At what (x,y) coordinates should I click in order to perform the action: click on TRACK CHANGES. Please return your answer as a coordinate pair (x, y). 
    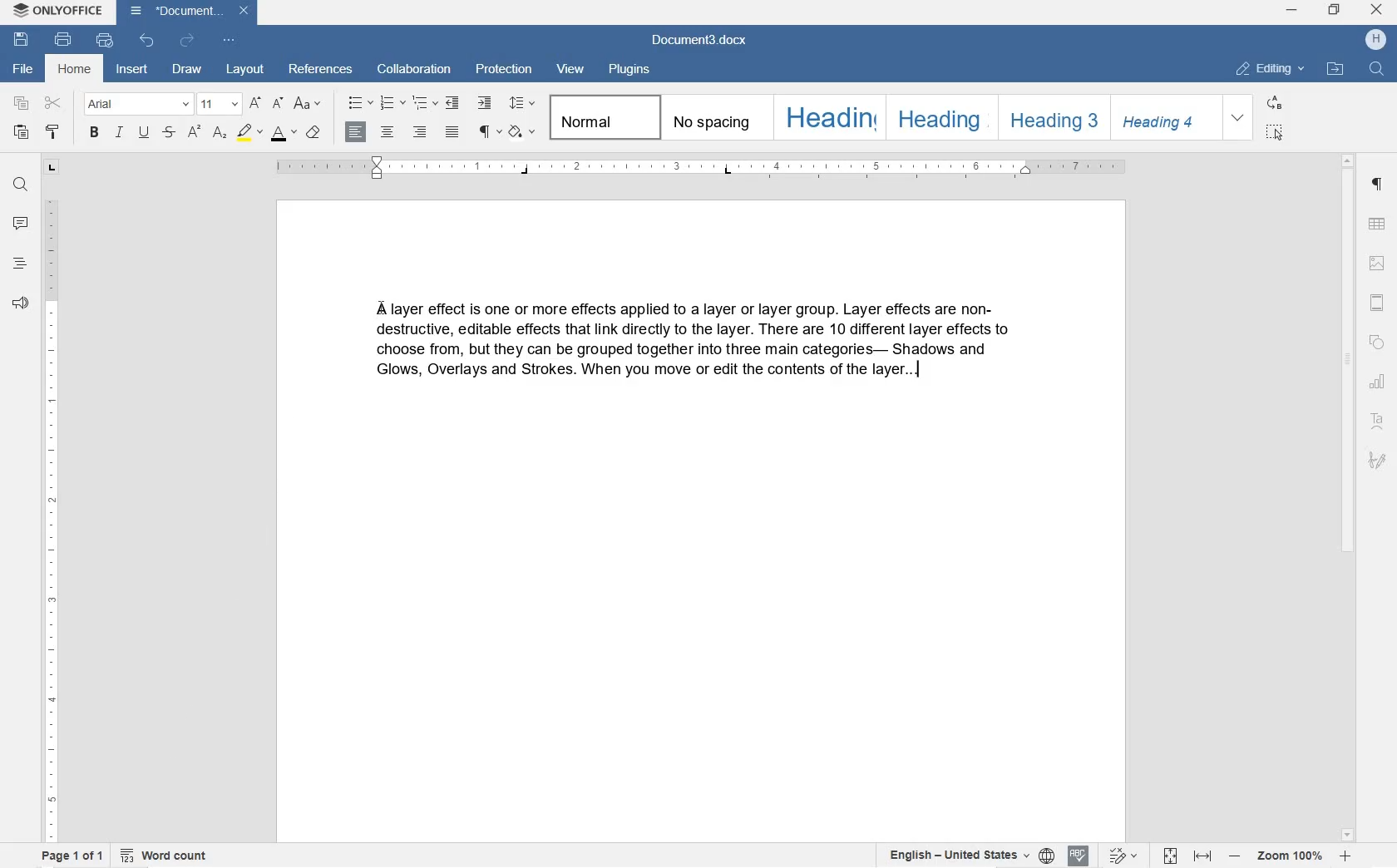
    Looking at the image, I should click on (1120, 855).